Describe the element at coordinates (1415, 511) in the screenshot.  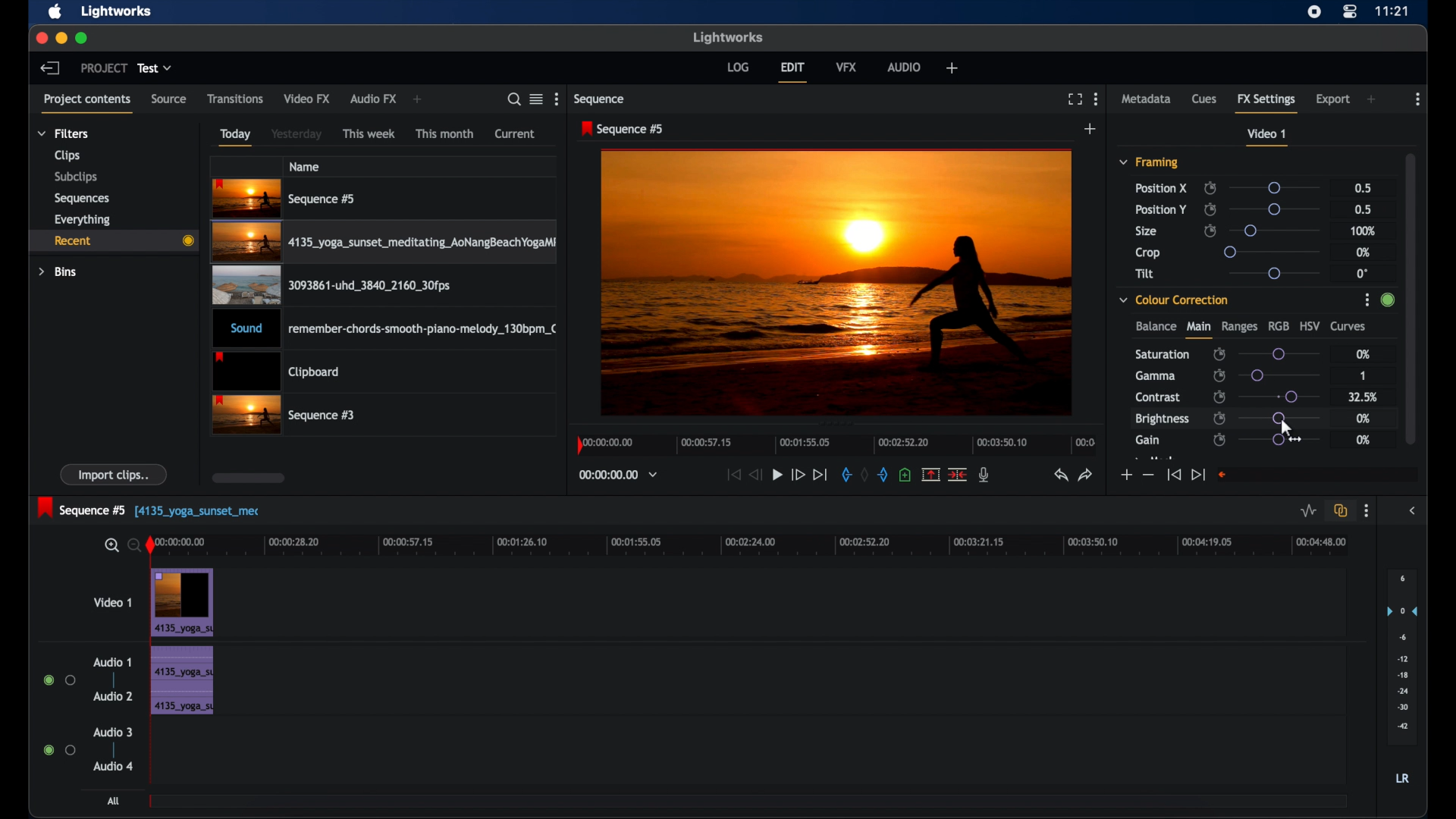
I see `sidebar` at that location.